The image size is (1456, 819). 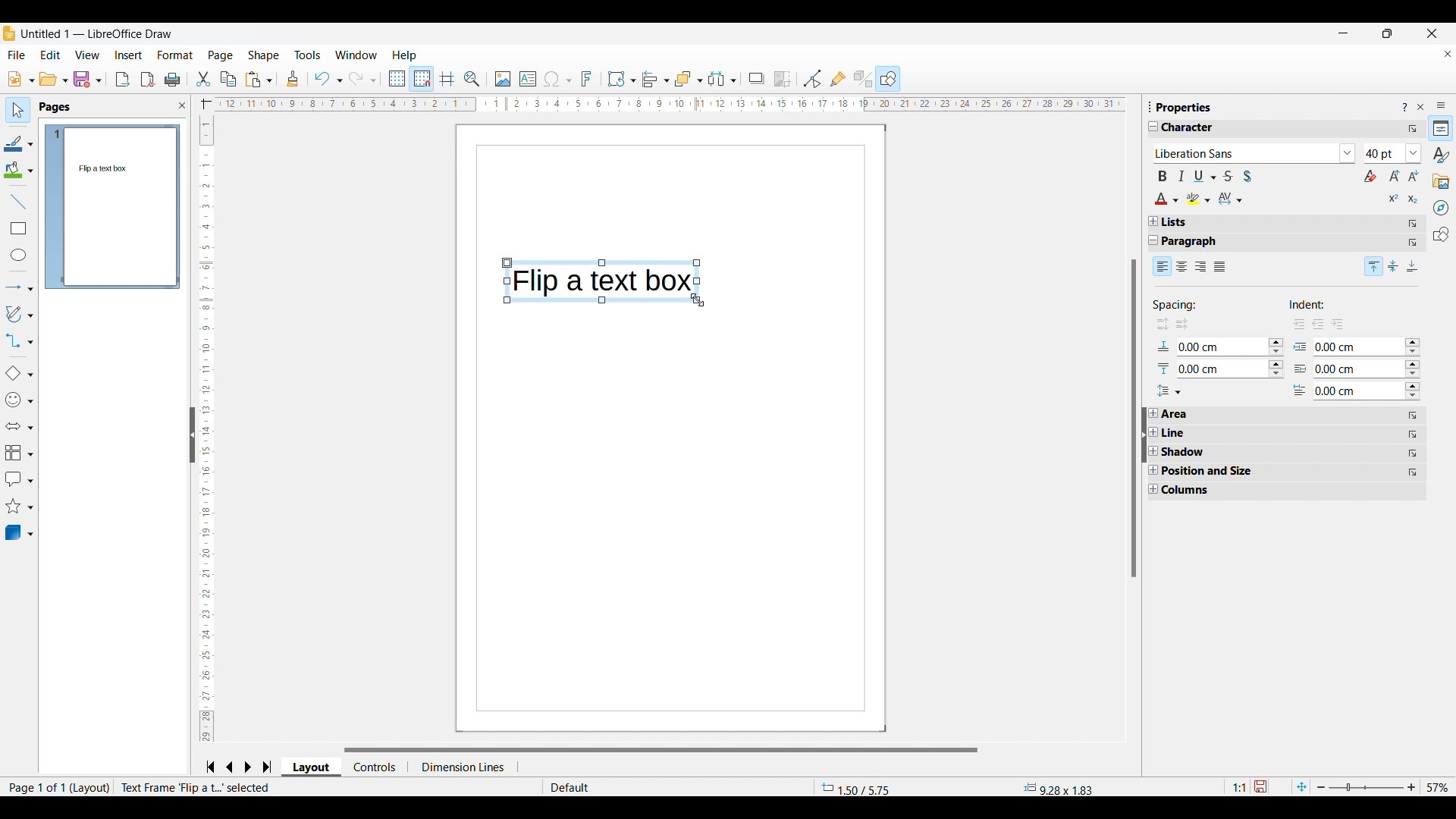 I want to click on Flip a text box, so click(x=598, y=278).